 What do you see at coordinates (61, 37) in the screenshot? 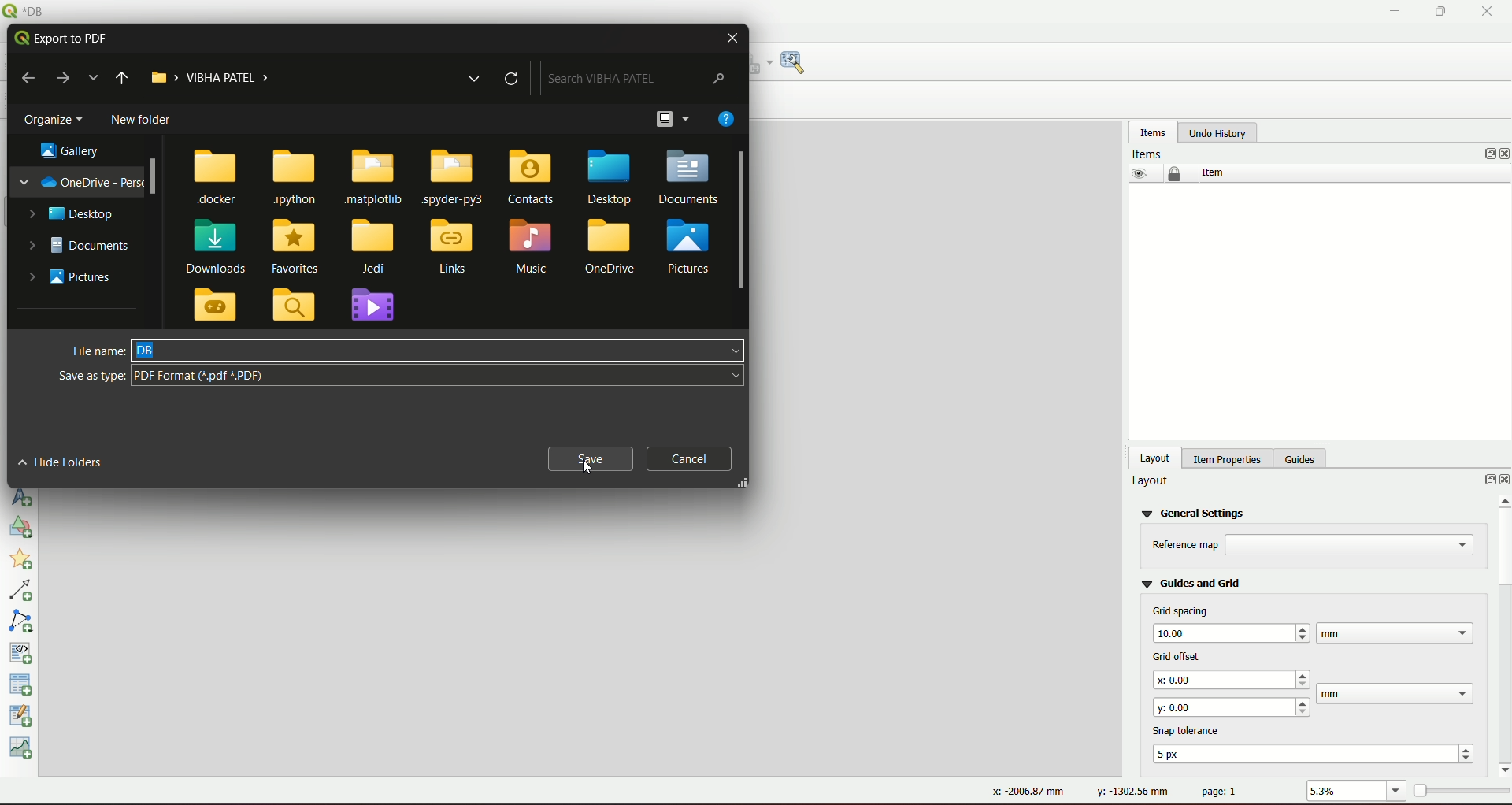
I see `Export to PDF` at bounding box center [61, 37].